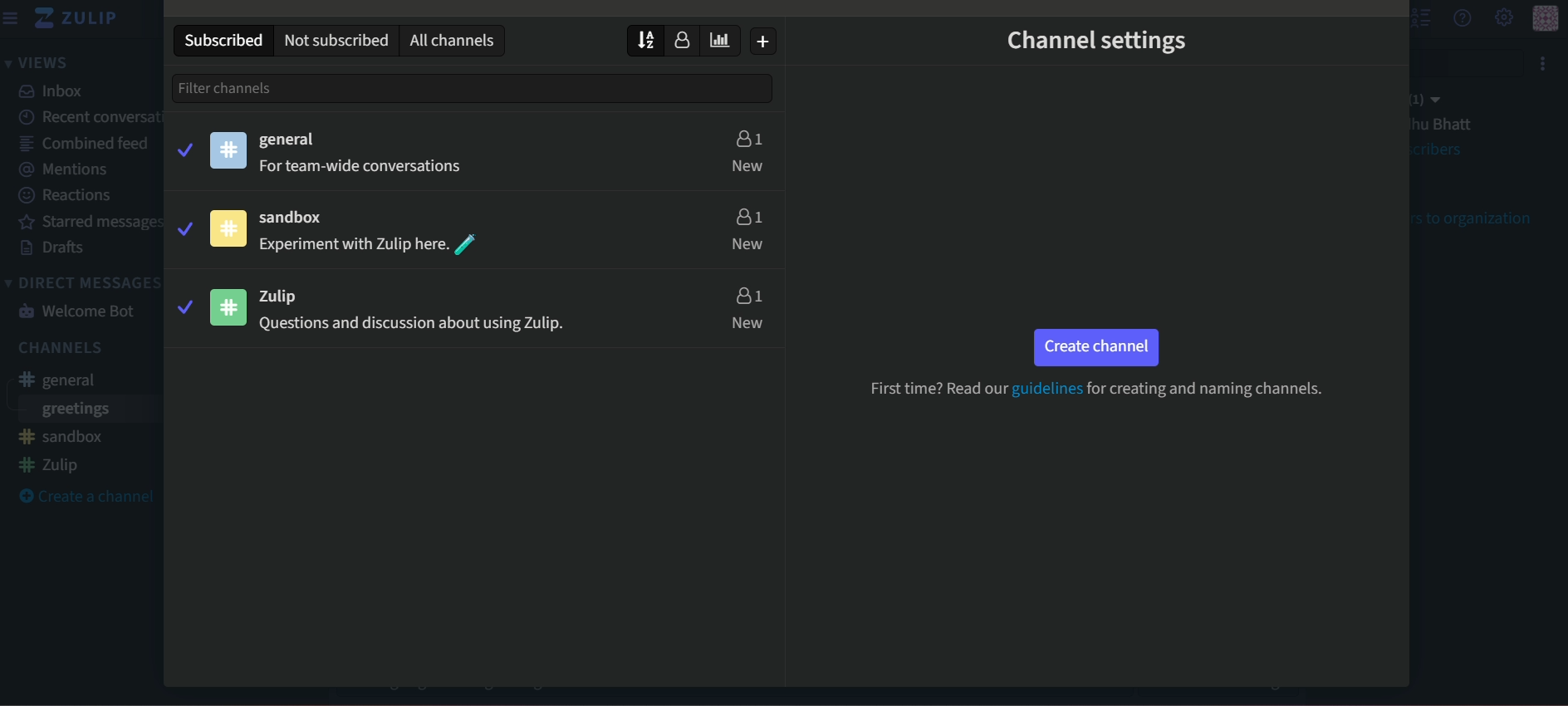 This screenshot has height=706, width=1568. I want to click on menu bar, so click(12, 17).